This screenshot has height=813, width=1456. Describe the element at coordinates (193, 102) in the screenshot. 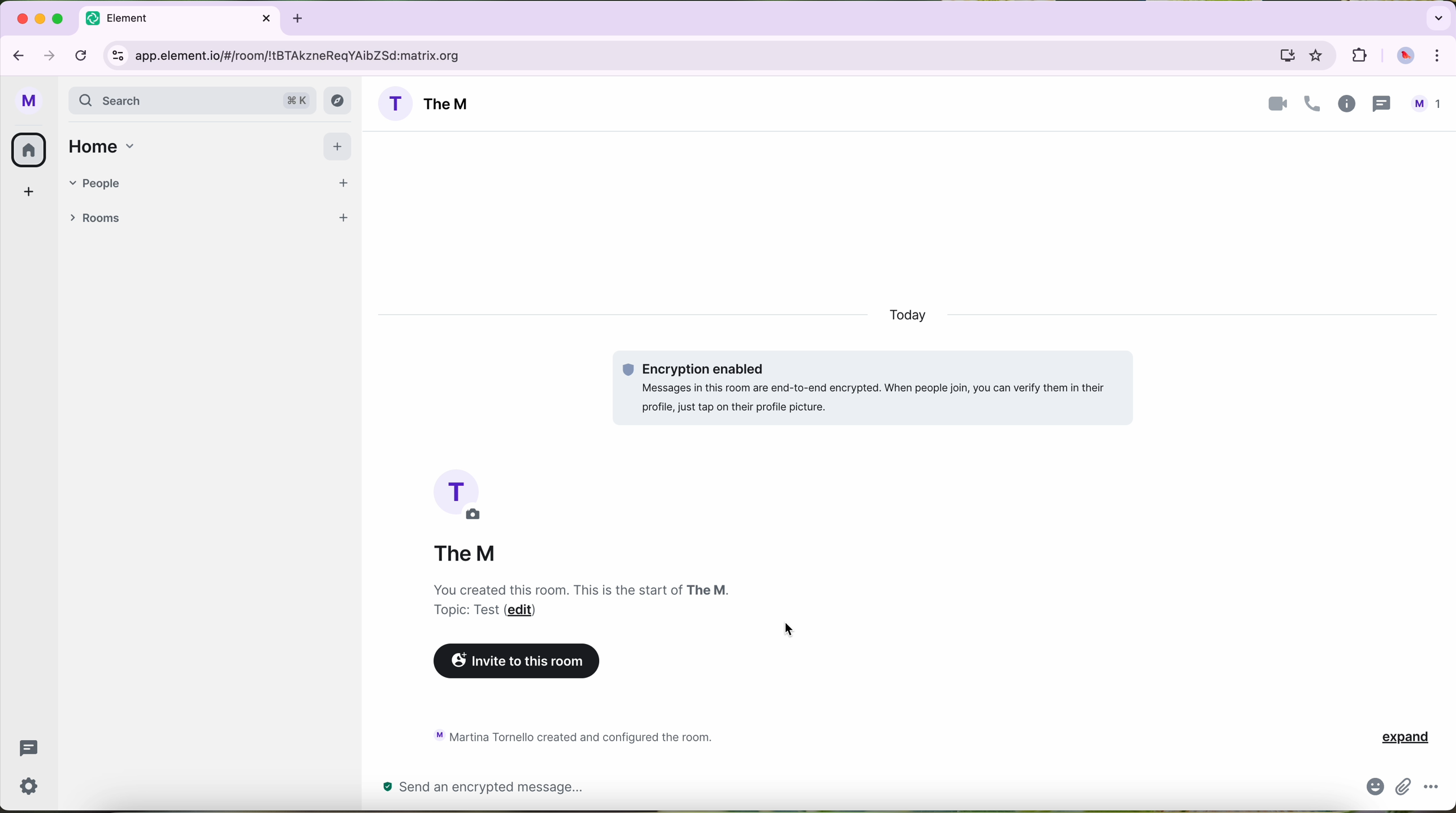

I see `search bar` at that location.